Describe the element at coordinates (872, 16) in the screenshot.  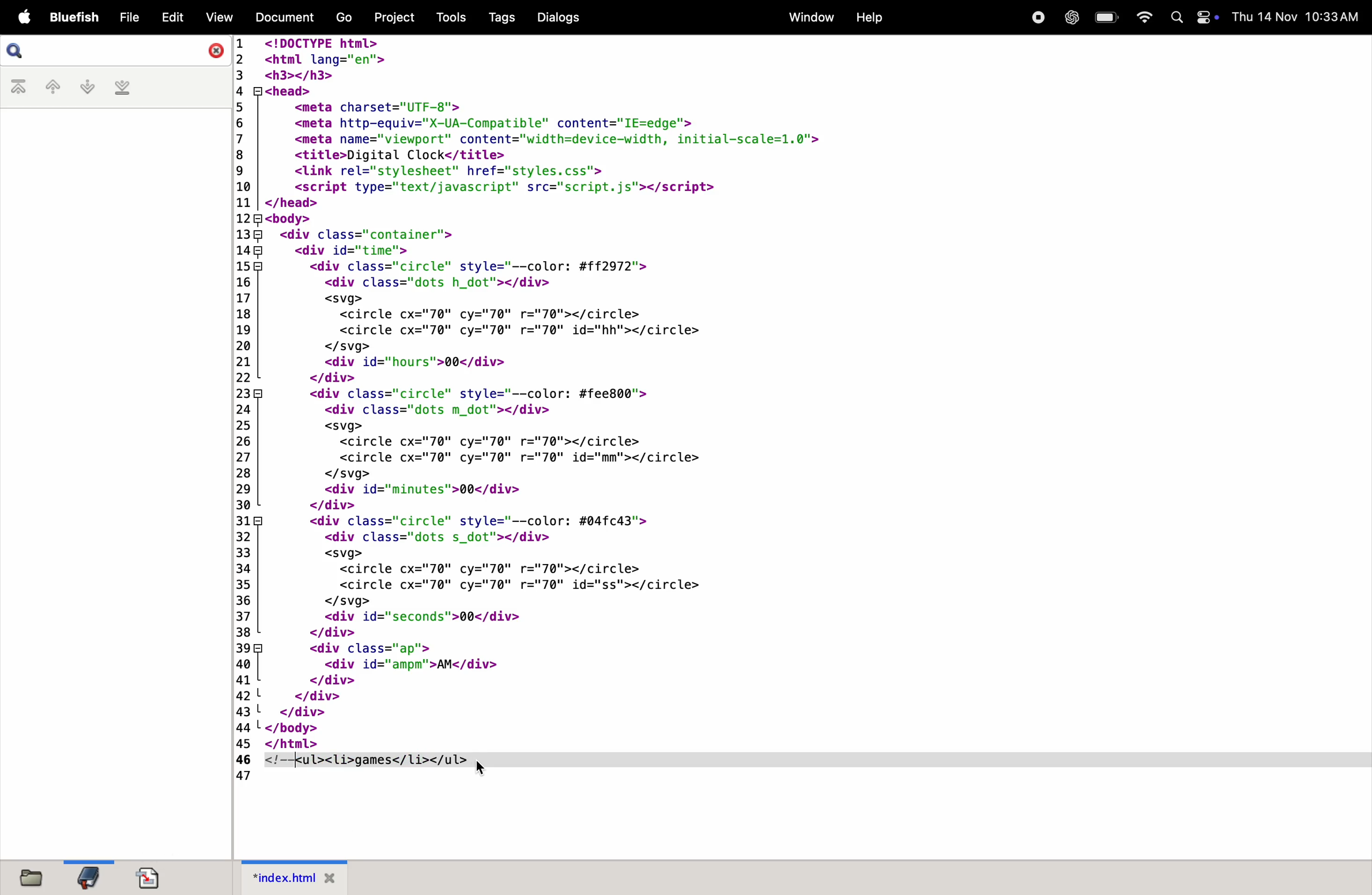
I see `help` at that location.